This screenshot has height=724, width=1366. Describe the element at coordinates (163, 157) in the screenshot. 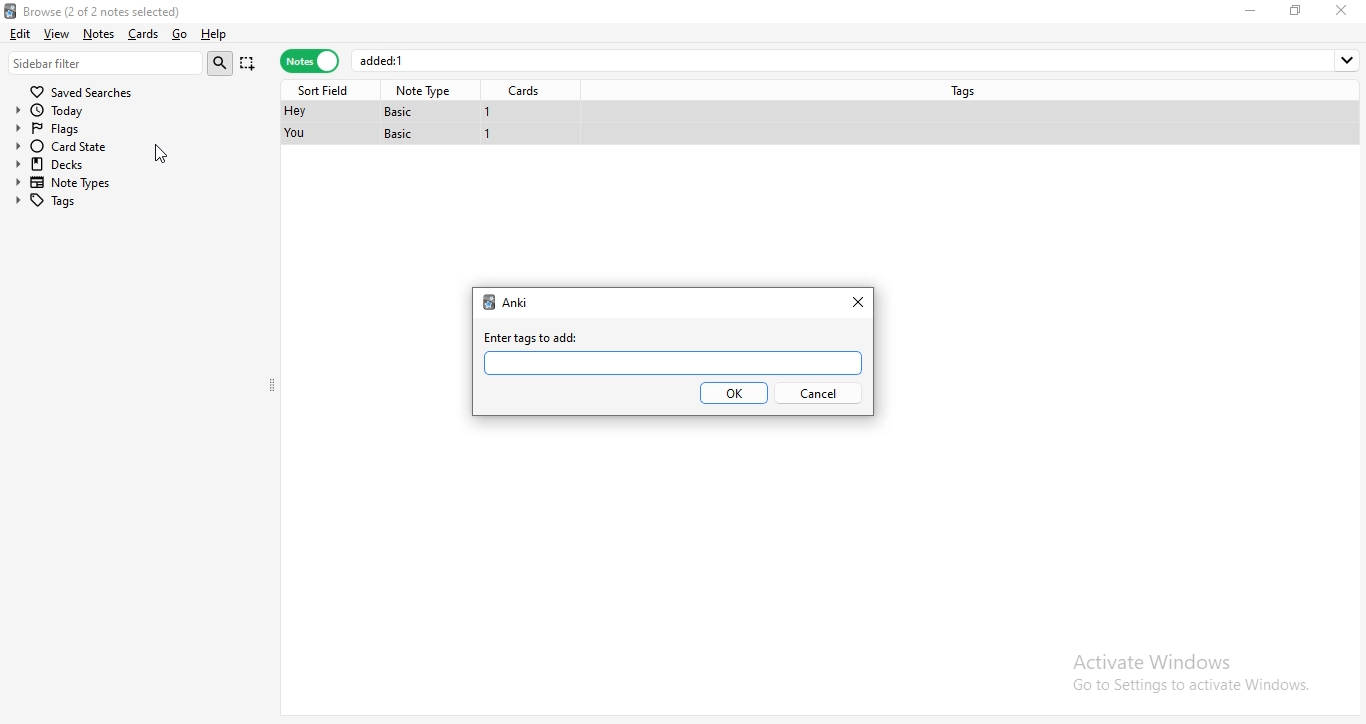

I see `cursor` at that location.